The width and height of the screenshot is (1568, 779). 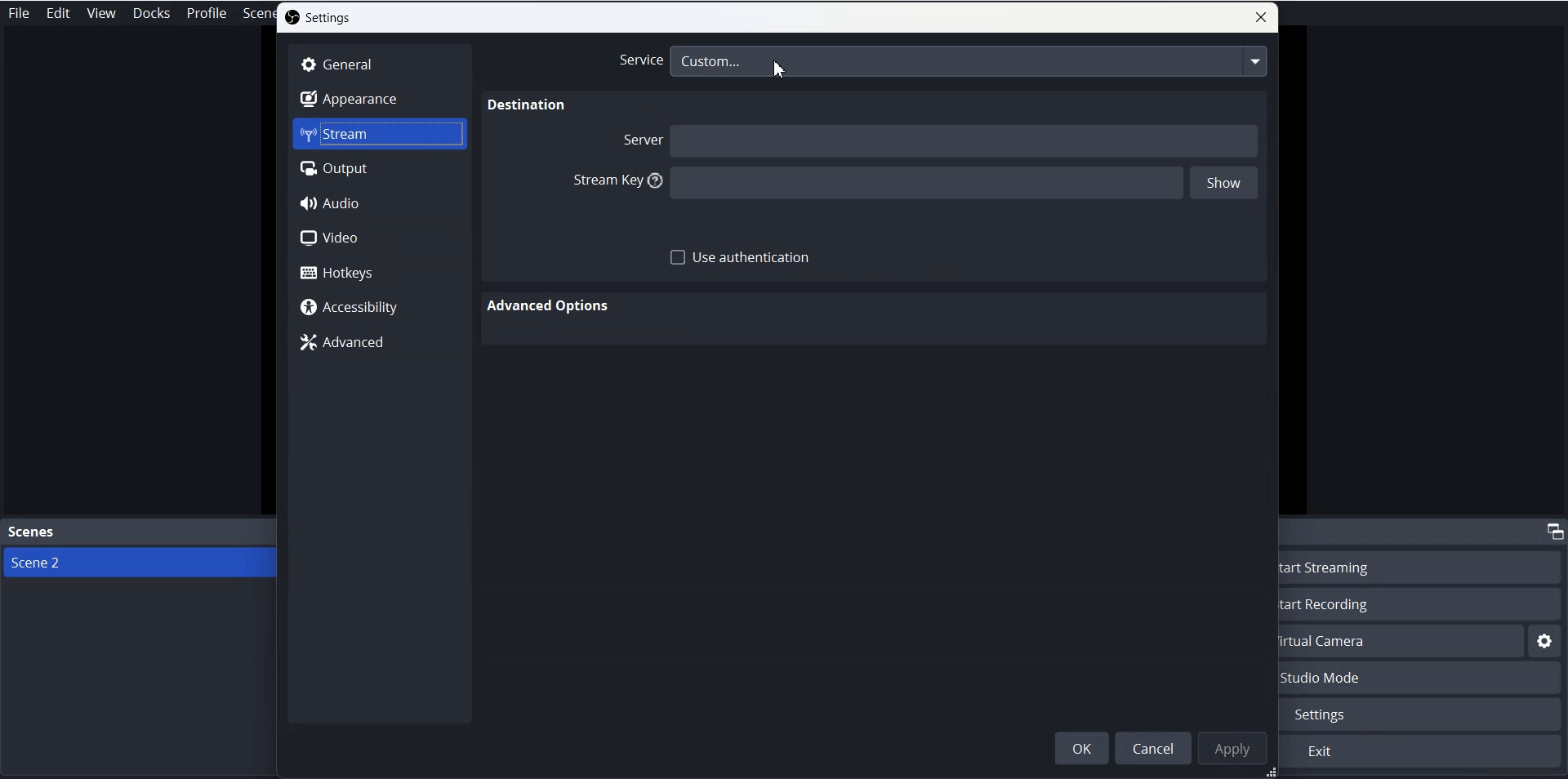 What do you see at coordinates (59, 13) in the screenshot?
I see `Edit` at bounding box center [59, 13].